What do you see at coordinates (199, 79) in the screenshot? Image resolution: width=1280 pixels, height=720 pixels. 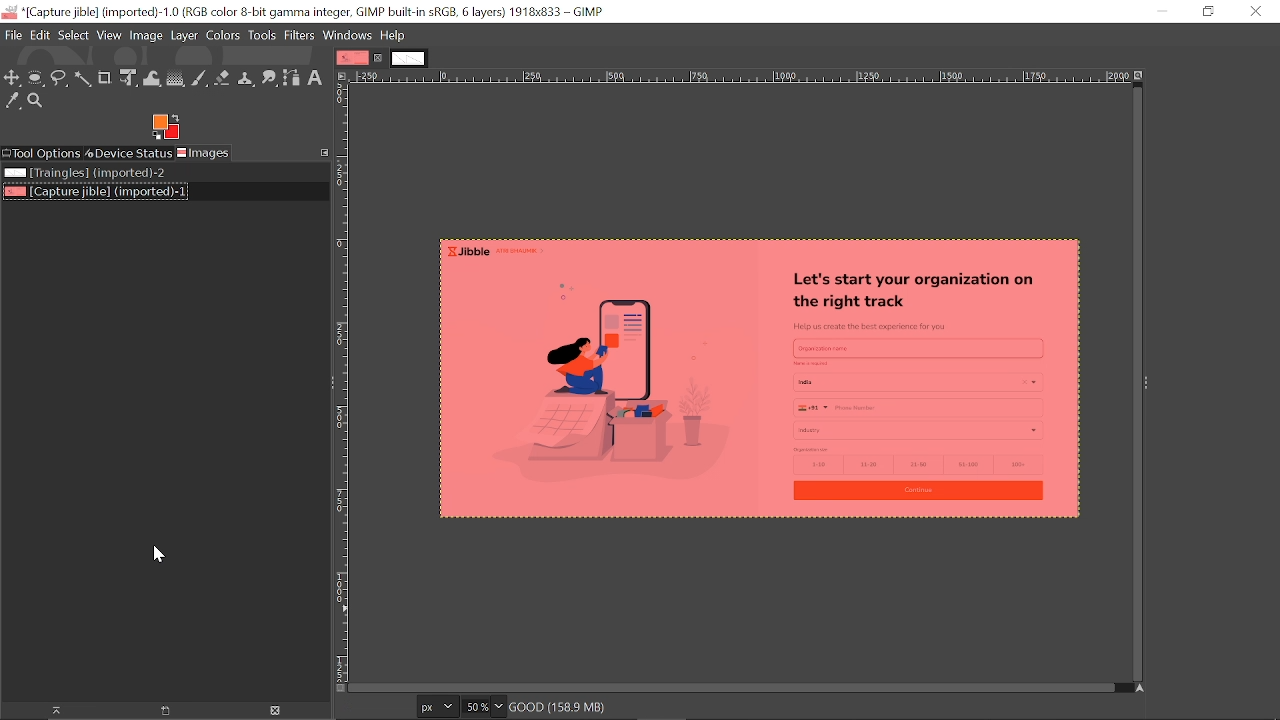 I see `Paintbrush tool` at bounding box center [199, 79].